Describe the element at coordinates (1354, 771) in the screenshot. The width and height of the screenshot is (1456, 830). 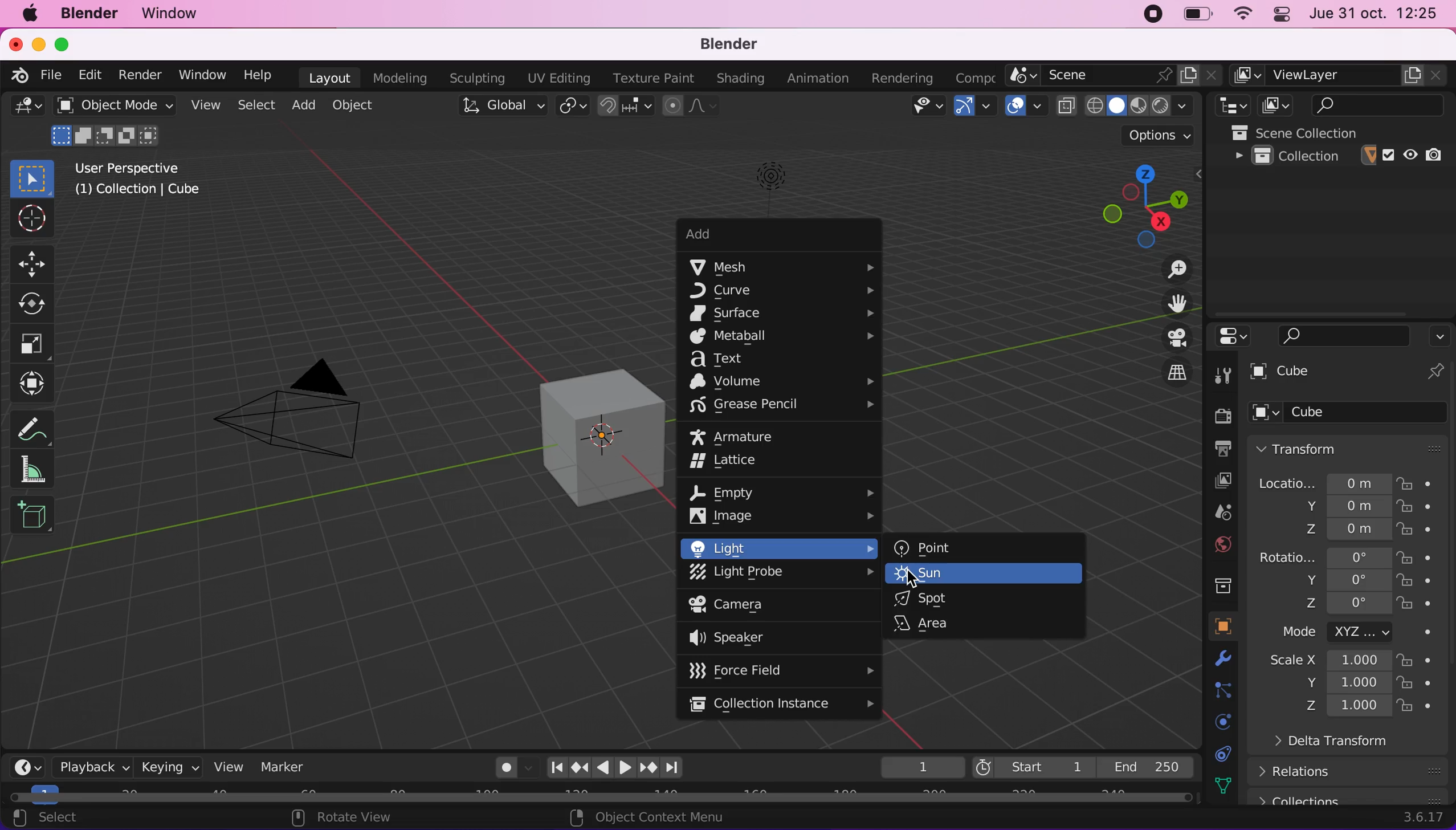
I see `relations` at that location.